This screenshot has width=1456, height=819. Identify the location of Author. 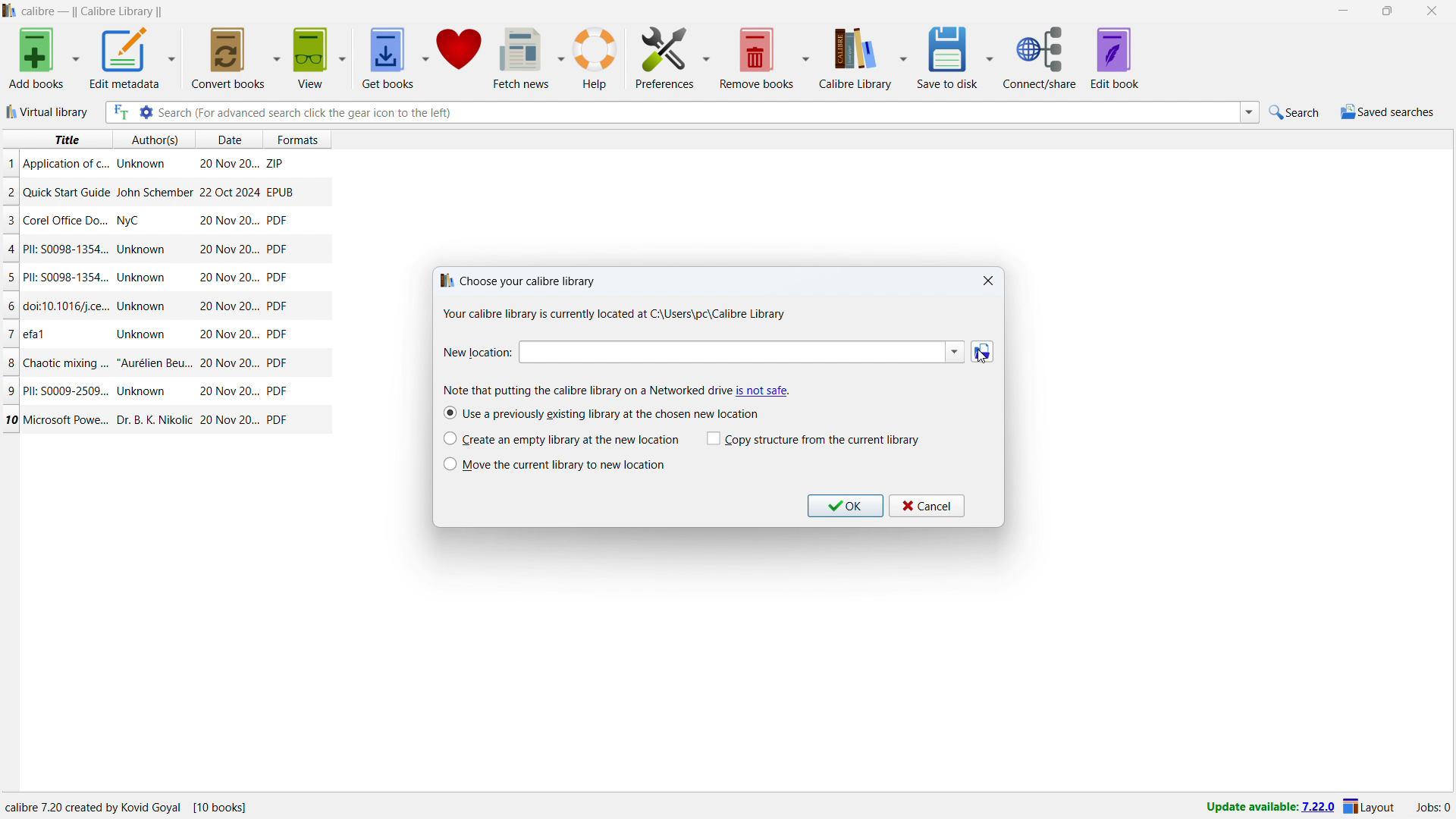
(153, 192).